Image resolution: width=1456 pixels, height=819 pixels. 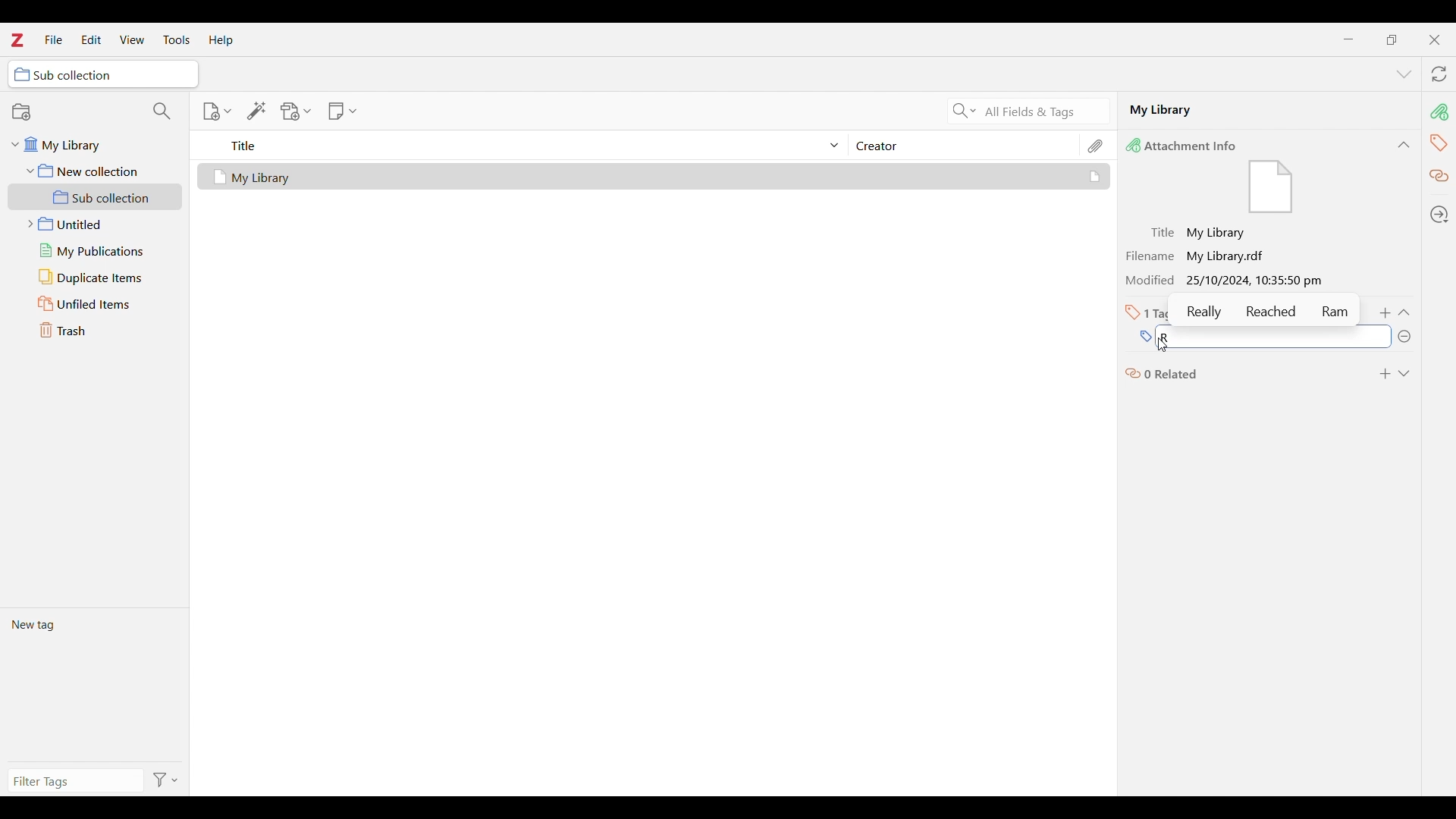 What do you see at coordinates (92, 222) in the screenshot?
I see `Untitled folder` at bounding box center [92, 222].